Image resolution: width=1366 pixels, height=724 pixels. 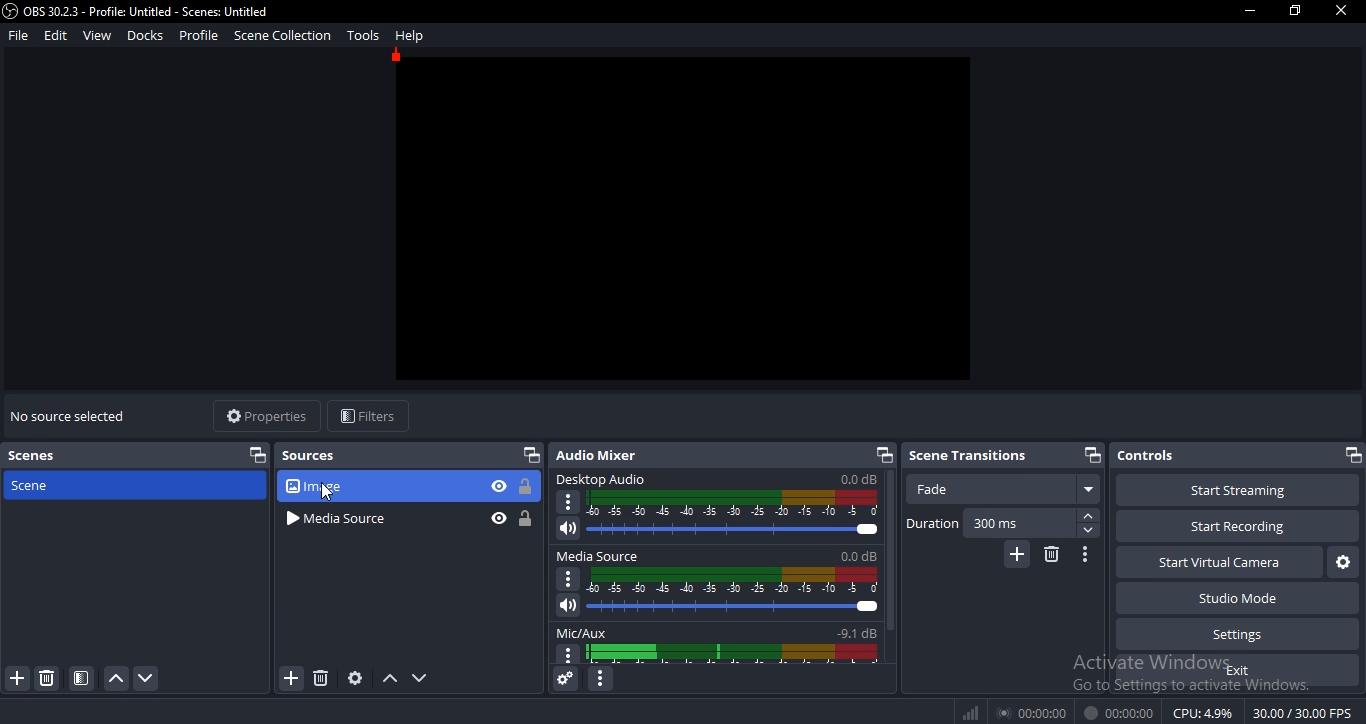 What do you see at coordinates (735, 654) in the screenshot?
I see `display` at bounding box center [735, 654].